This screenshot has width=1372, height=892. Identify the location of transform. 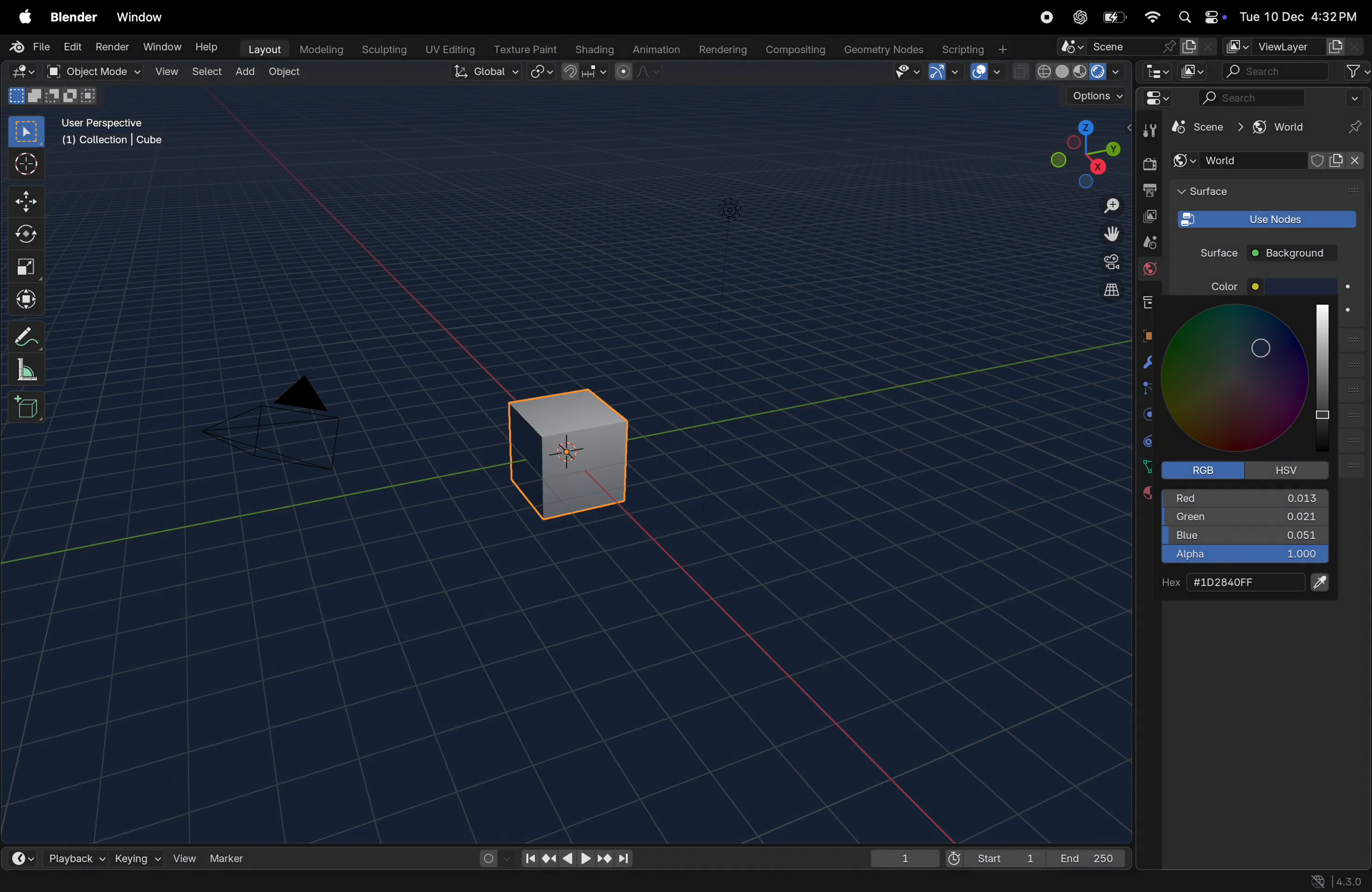
(29, 297).